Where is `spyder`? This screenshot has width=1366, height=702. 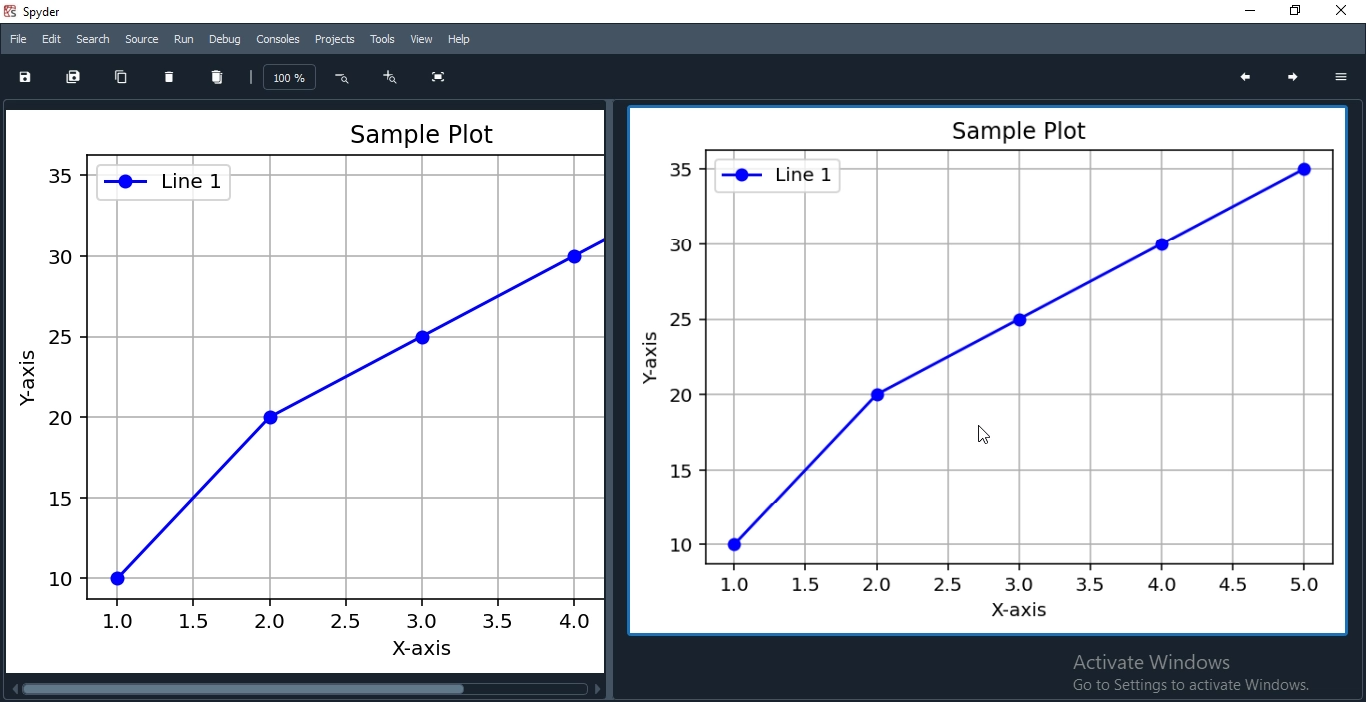
spyder is located at coordinates (39, 11).